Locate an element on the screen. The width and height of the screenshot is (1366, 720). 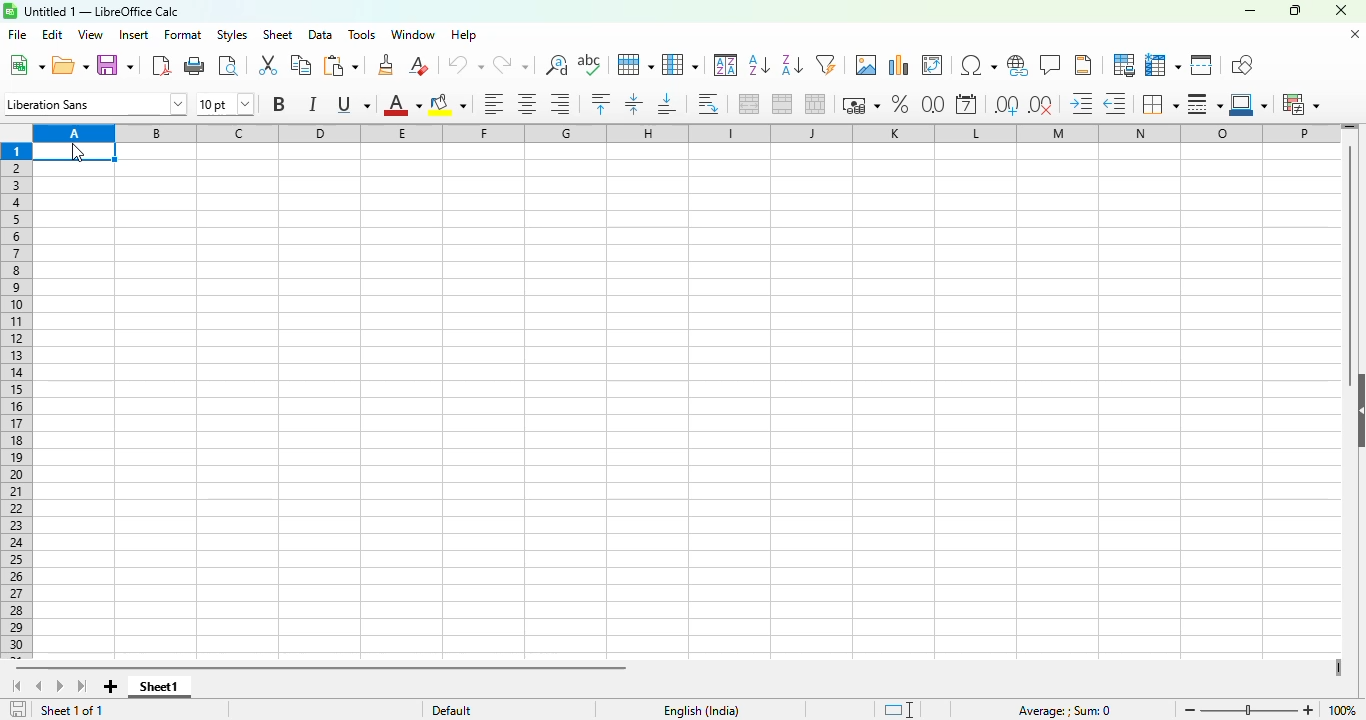
align left is located at coordinates (493, 104).